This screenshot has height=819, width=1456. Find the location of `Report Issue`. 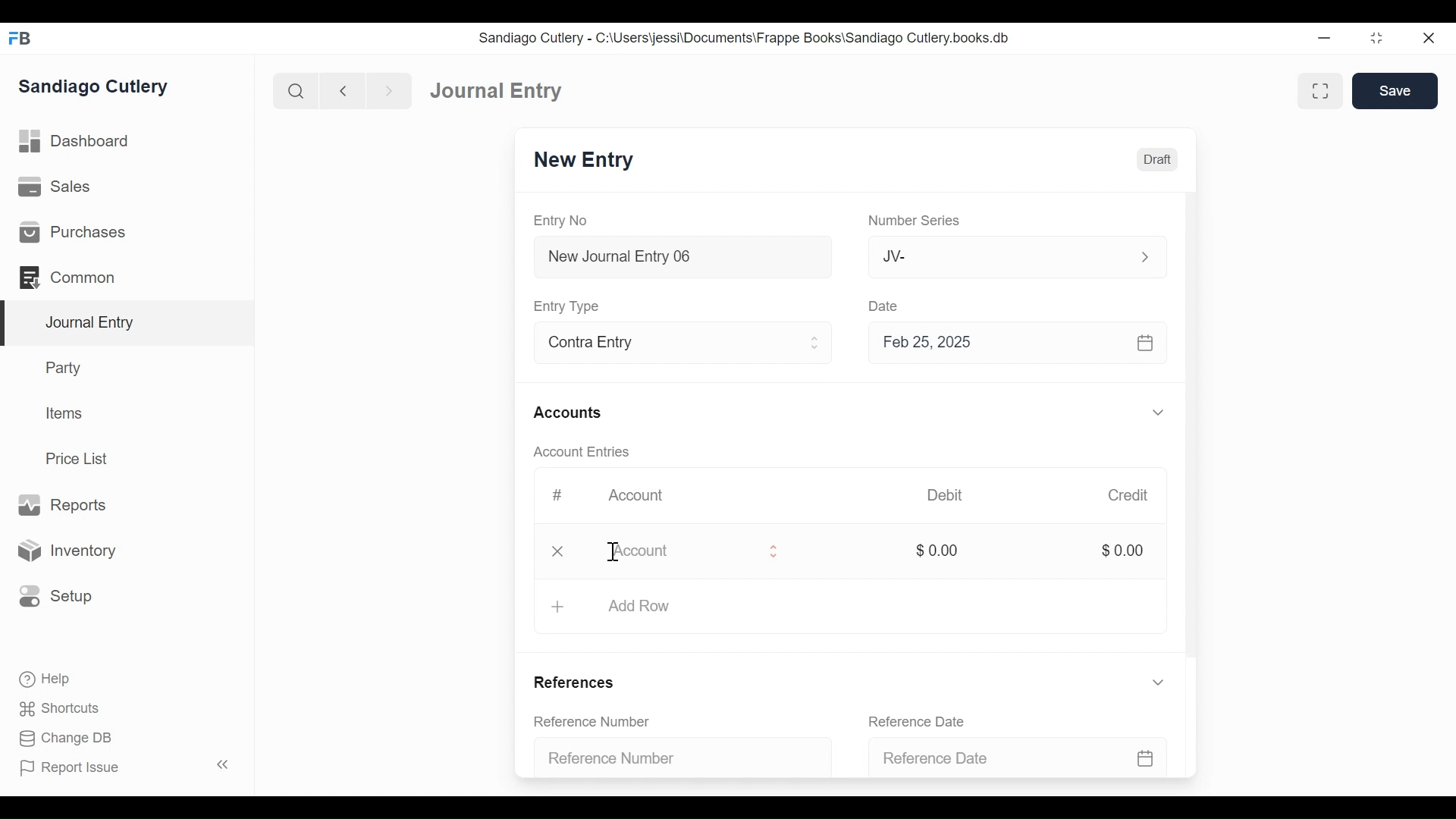

Report Issue is located at coordinates (127, 767).